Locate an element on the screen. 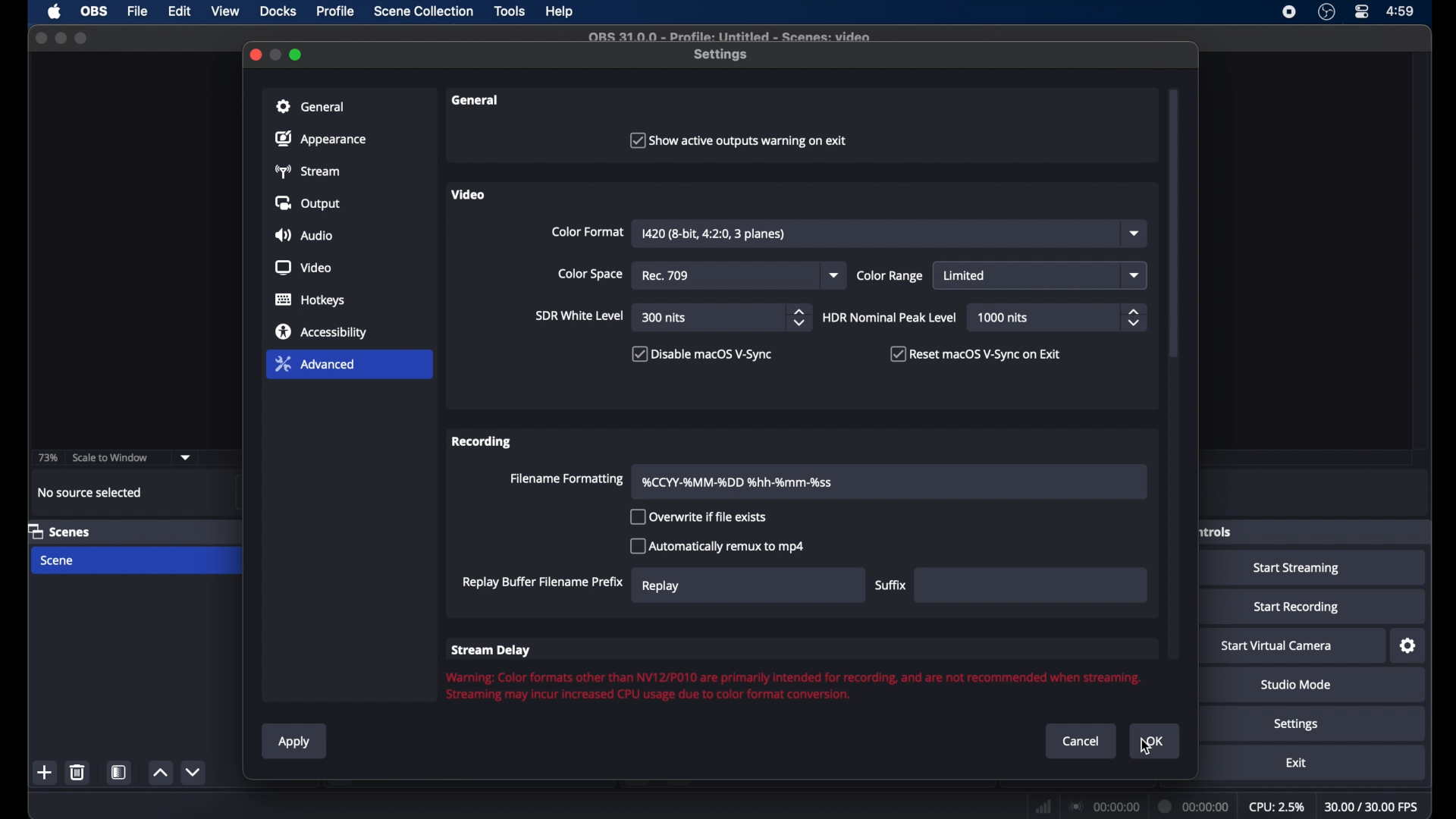  maximize is located at coordinates (83, 38).